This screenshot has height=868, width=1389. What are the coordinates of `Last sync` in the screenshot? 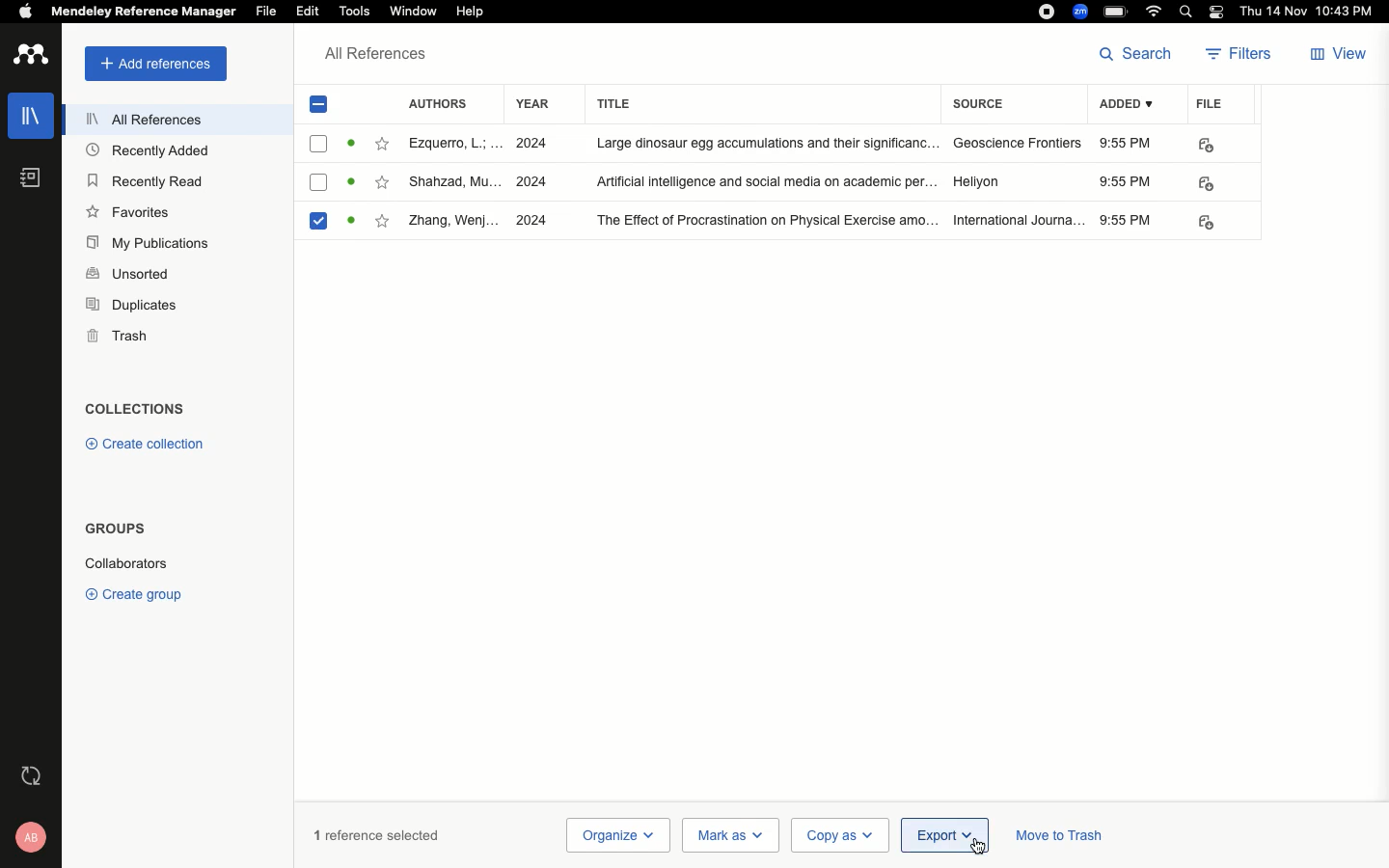 It's located at (34, 775).